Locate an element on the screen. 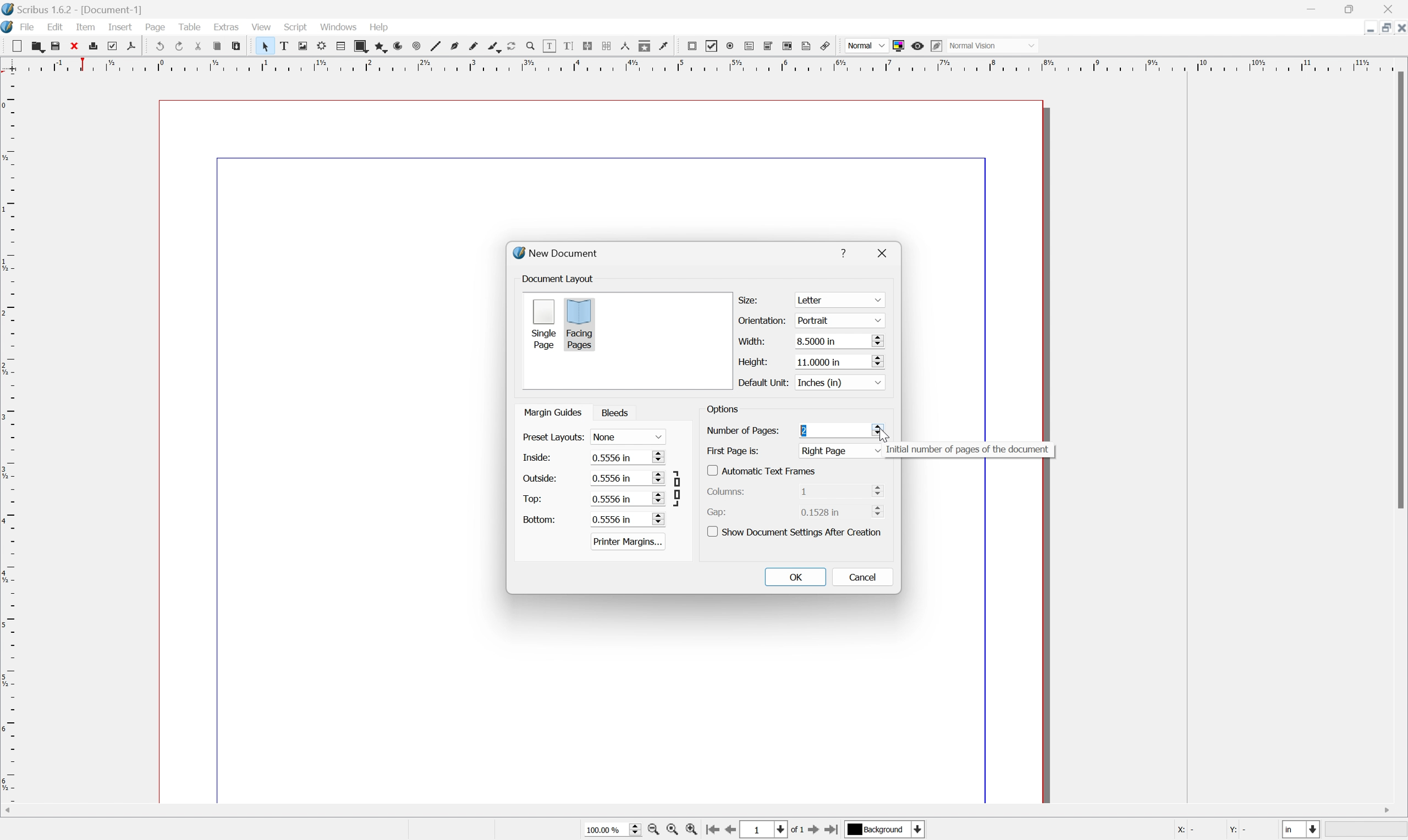  New is located at coordinates (16, 46).